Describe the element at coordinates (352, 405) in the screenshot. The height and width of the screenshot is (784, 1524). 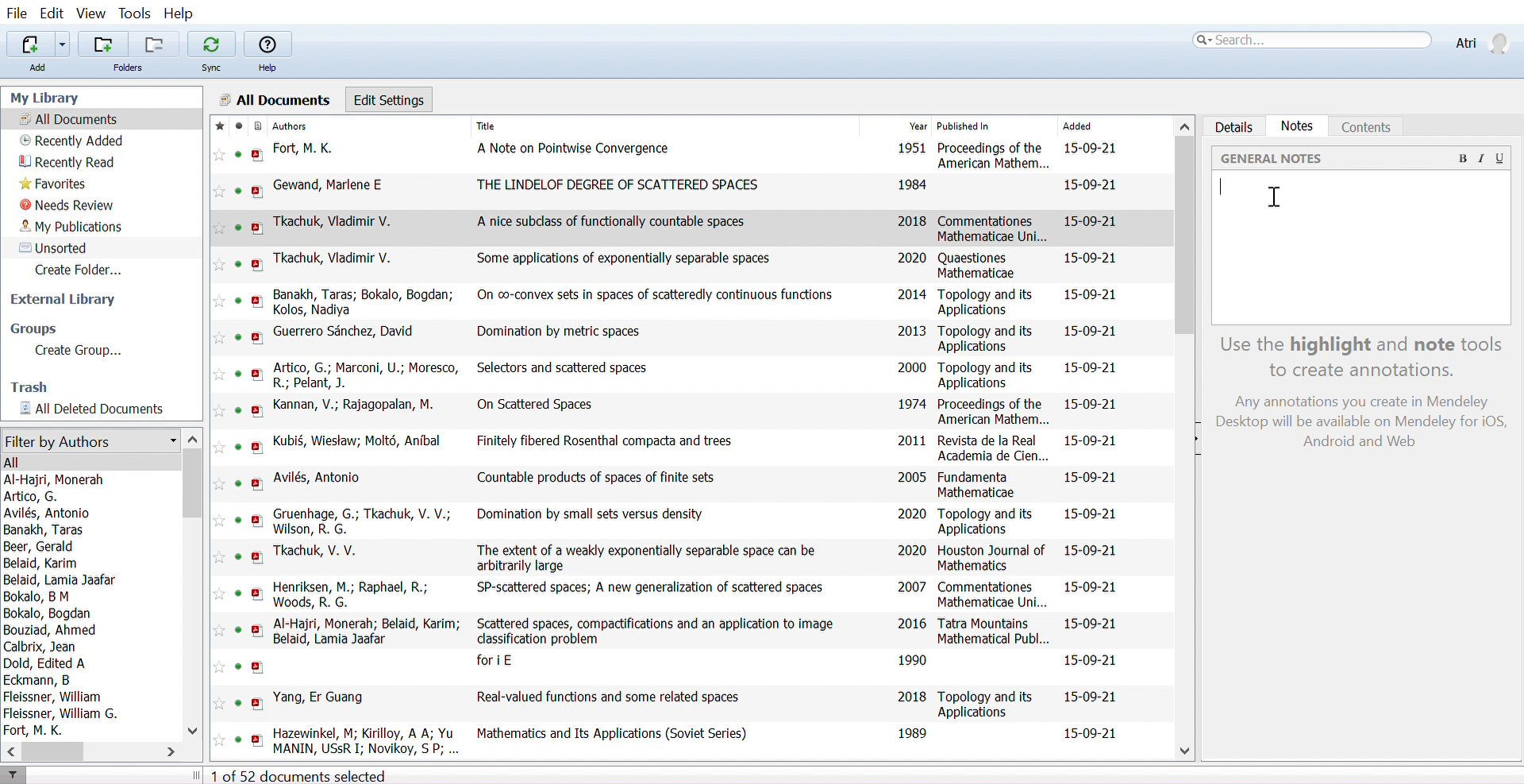
I see `Kannan, V.; Rajagopalan, M.` at that location.